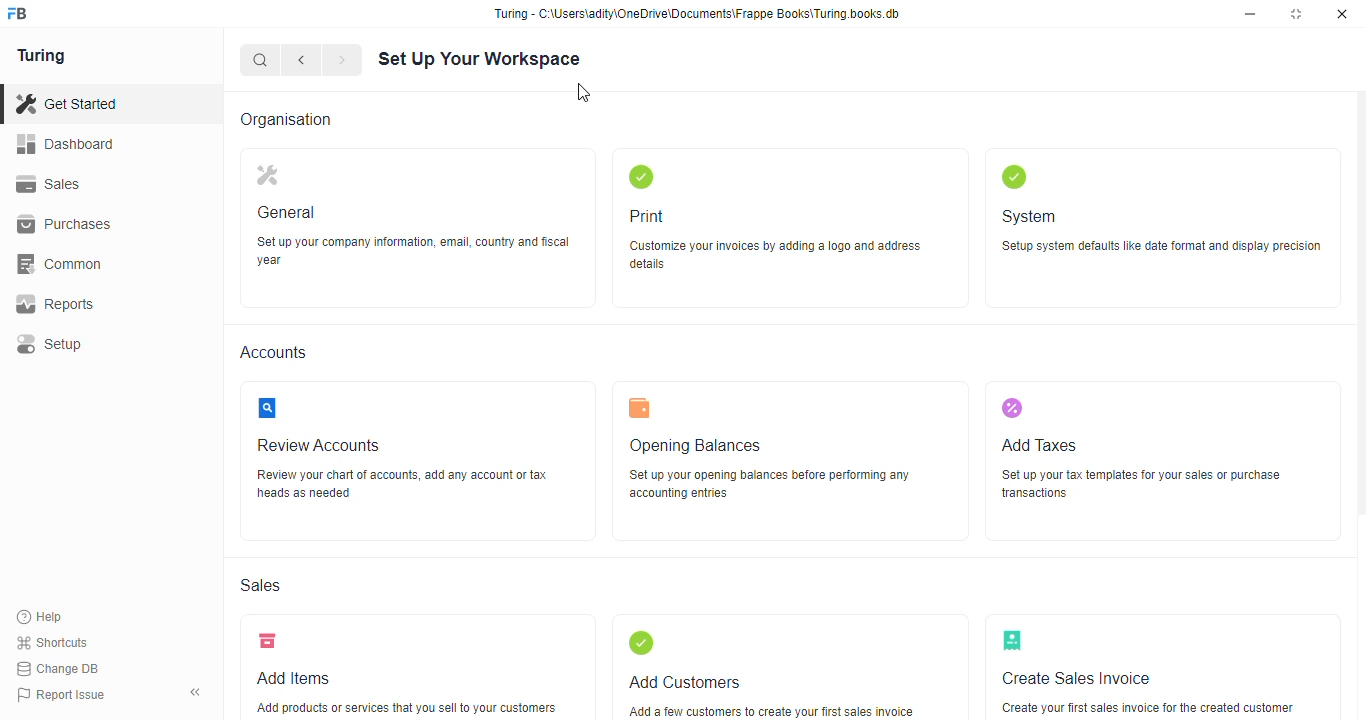 Image resolution: width=1366 pixels, height=720 pixels. Describe the element at coordinates (108, 341) in the screenshot. I see `Setup` at that location.